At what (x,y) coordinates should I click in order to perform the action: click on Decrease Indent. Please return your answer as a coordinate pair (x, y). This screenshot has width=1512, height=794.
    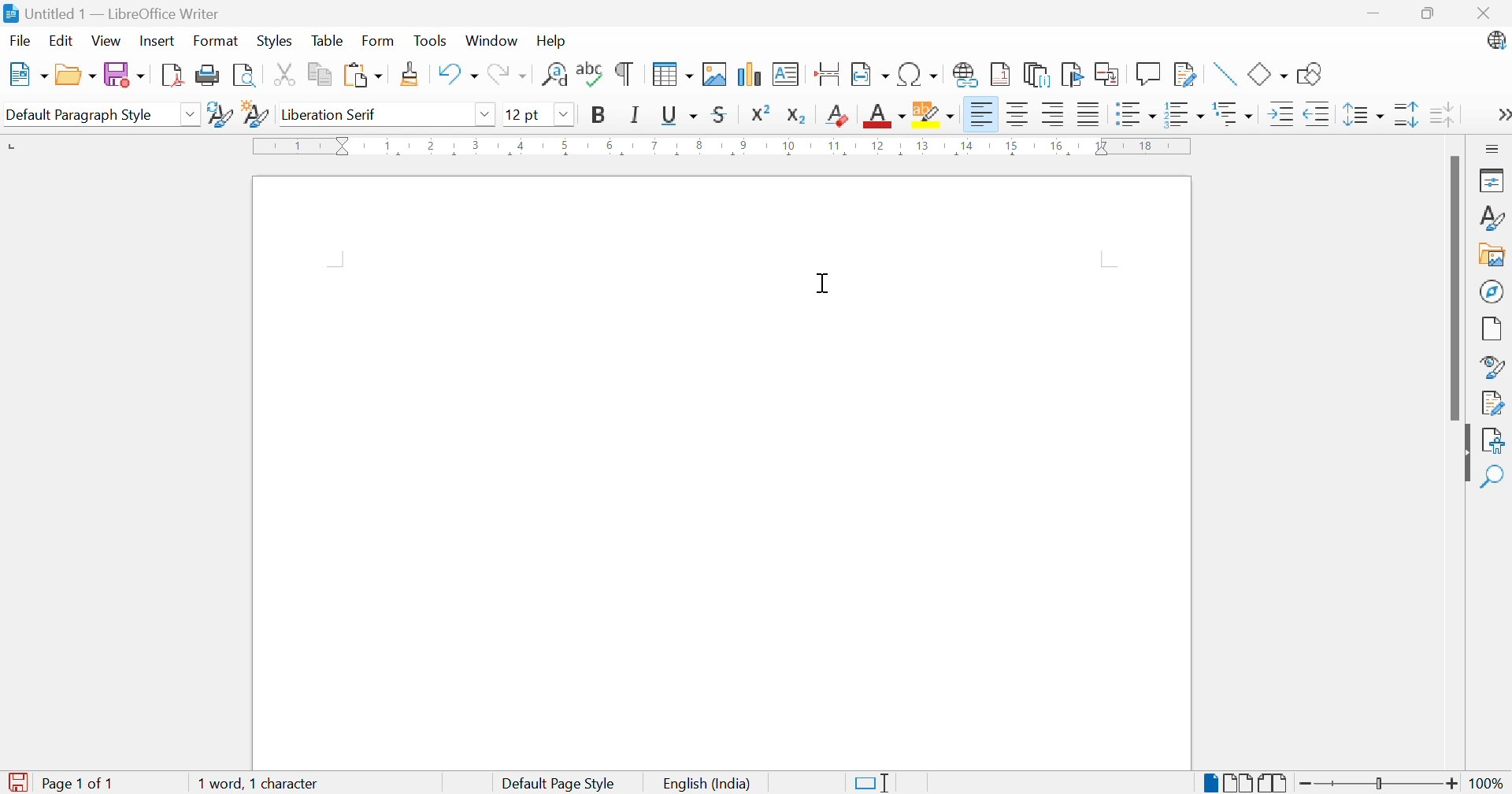
    Looking at the image, I should click on (1320, 114).